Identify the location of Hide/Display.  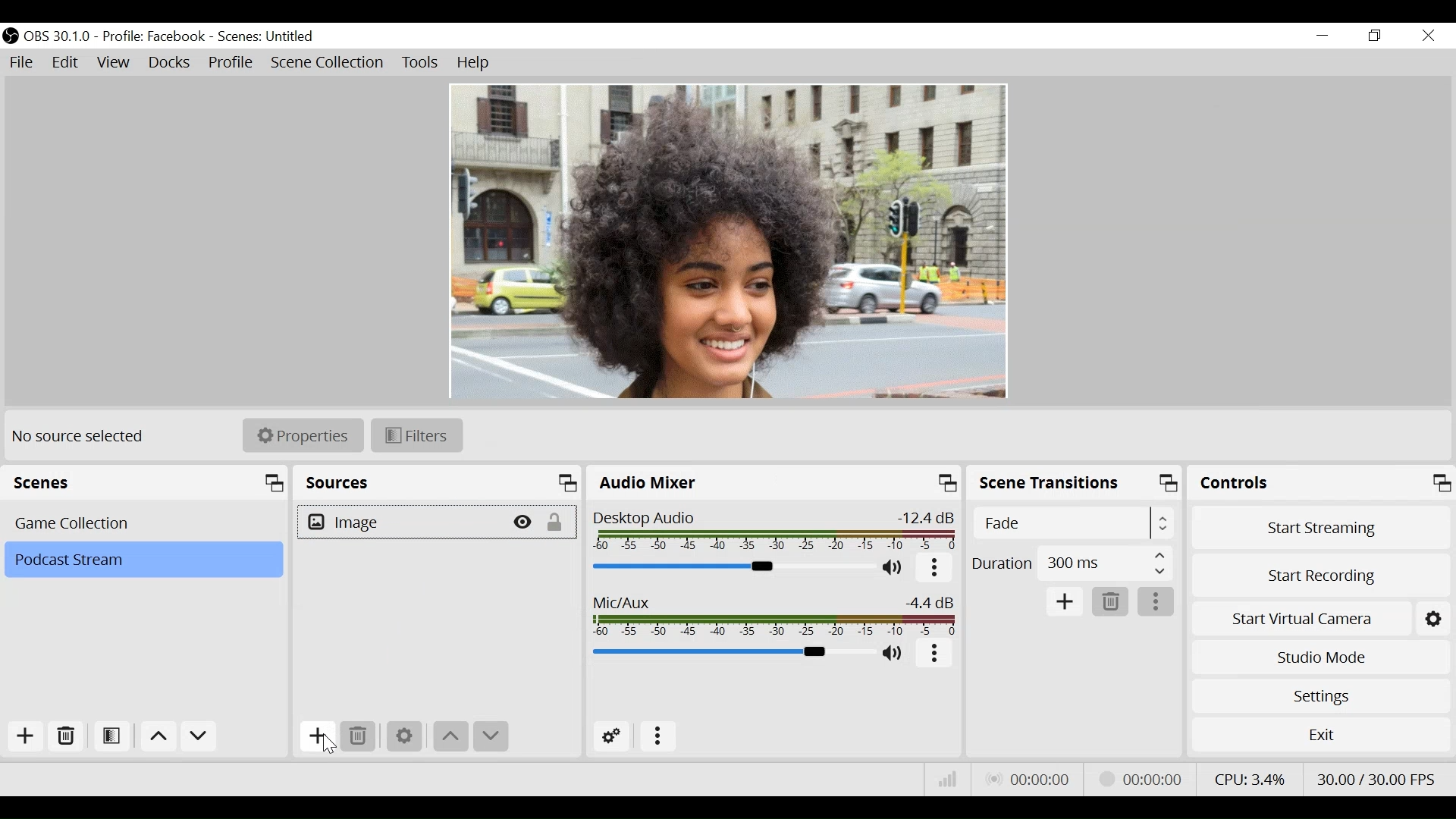
(524, 521).